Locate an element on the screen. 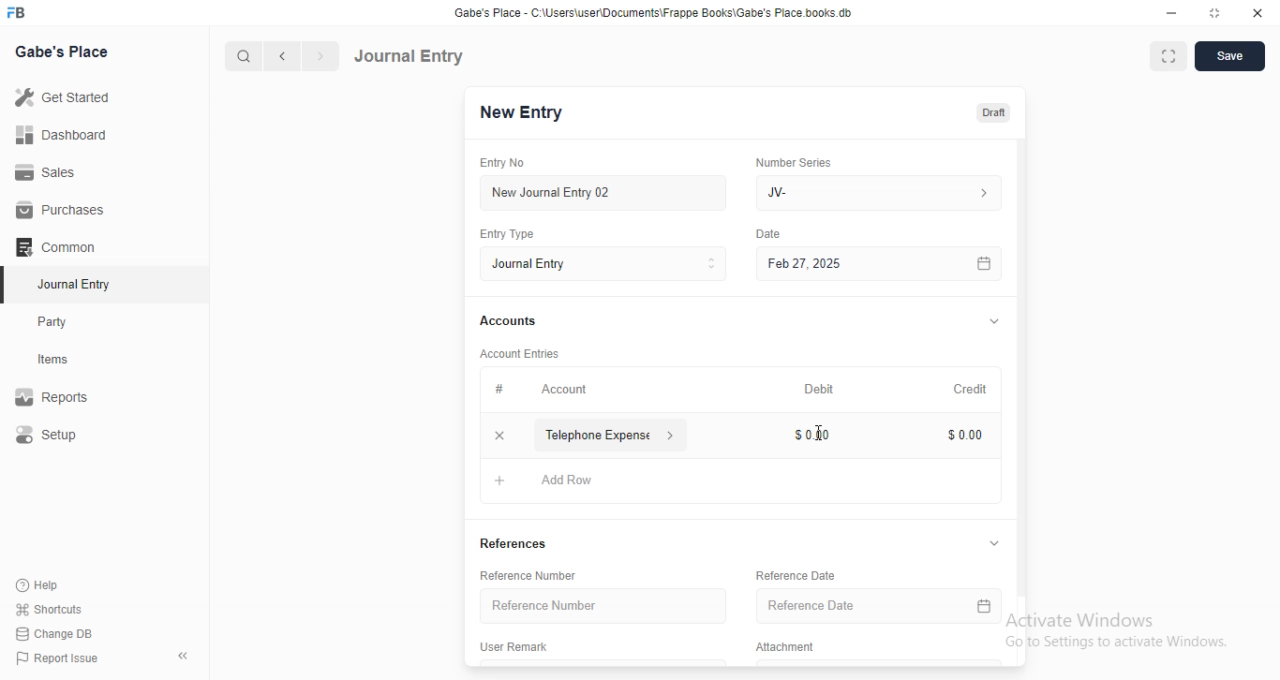 This screenshot has width=1280, height=680. Sales is located at coordinates (49, 174).